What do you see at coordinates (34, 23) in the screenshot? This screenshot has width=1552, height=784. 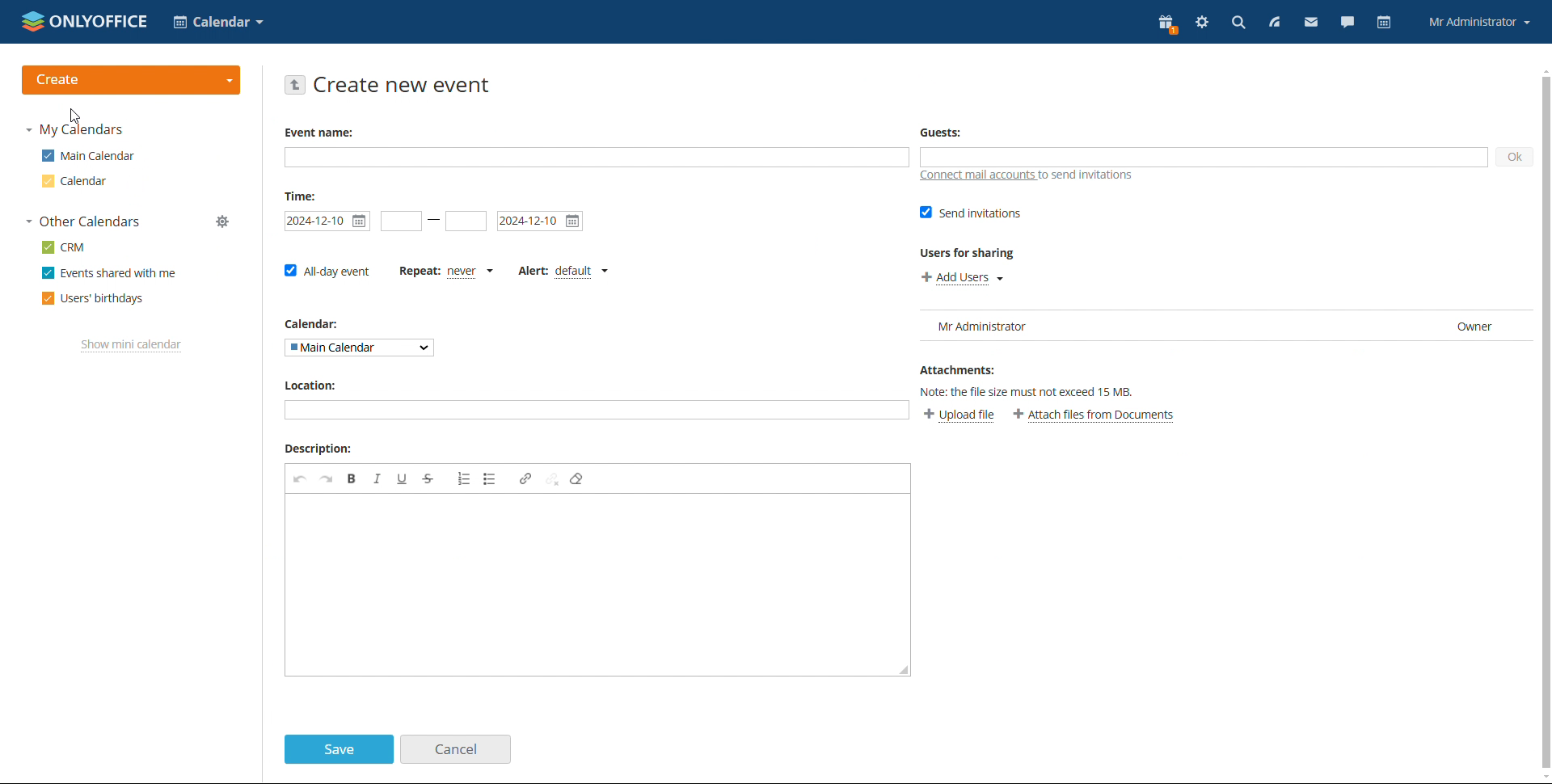 I see `onlyoffice logo` at bounding box center [34, 23].